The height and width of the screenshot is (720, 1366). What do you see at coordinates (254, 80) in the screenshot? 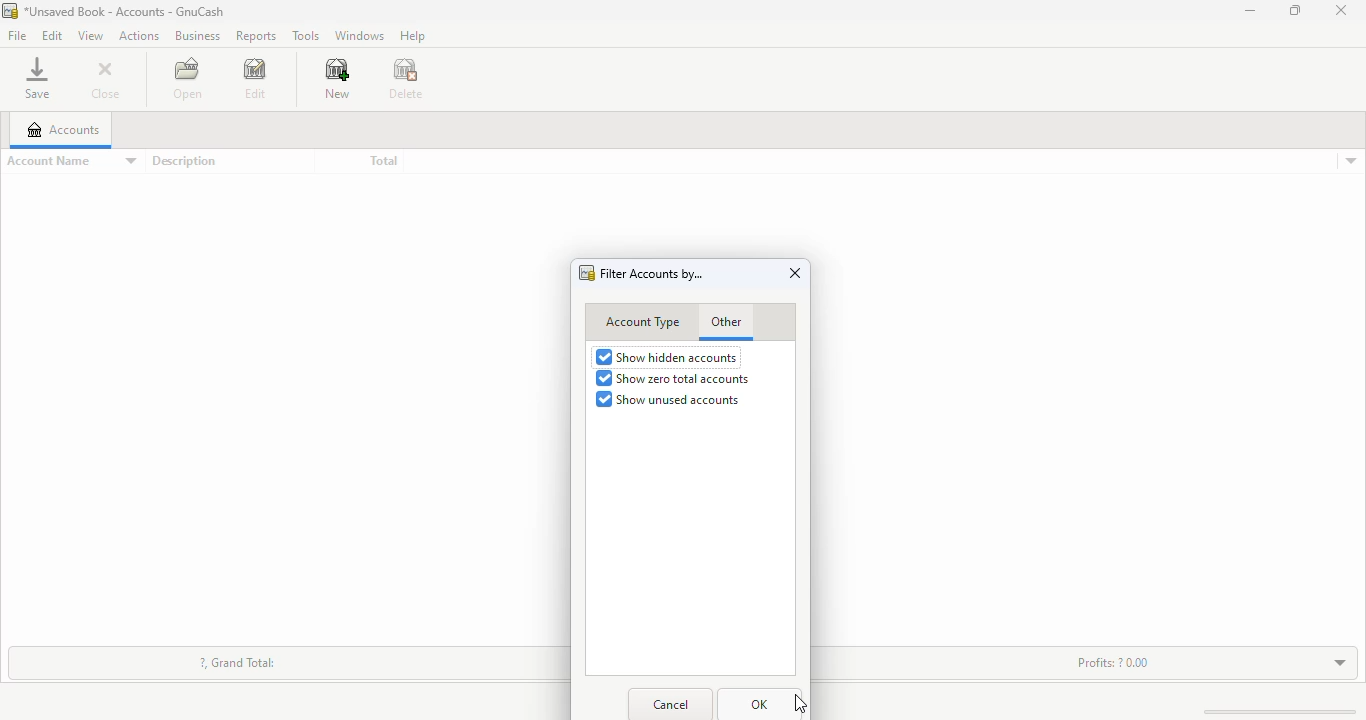
I see `edit` at bounding box center [254, 80].